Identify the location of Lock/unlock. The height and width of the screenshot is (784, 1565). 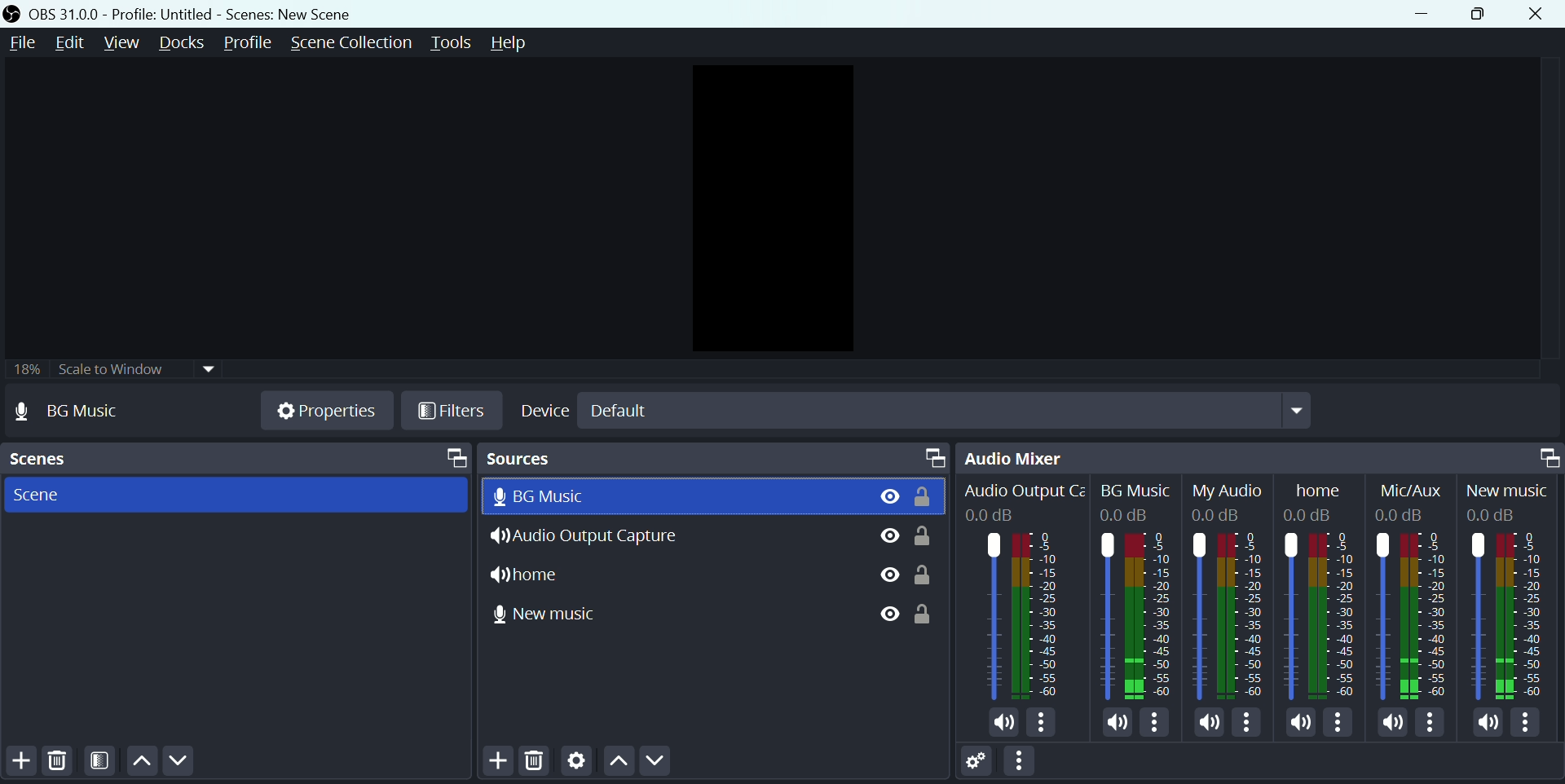
(924, 496).